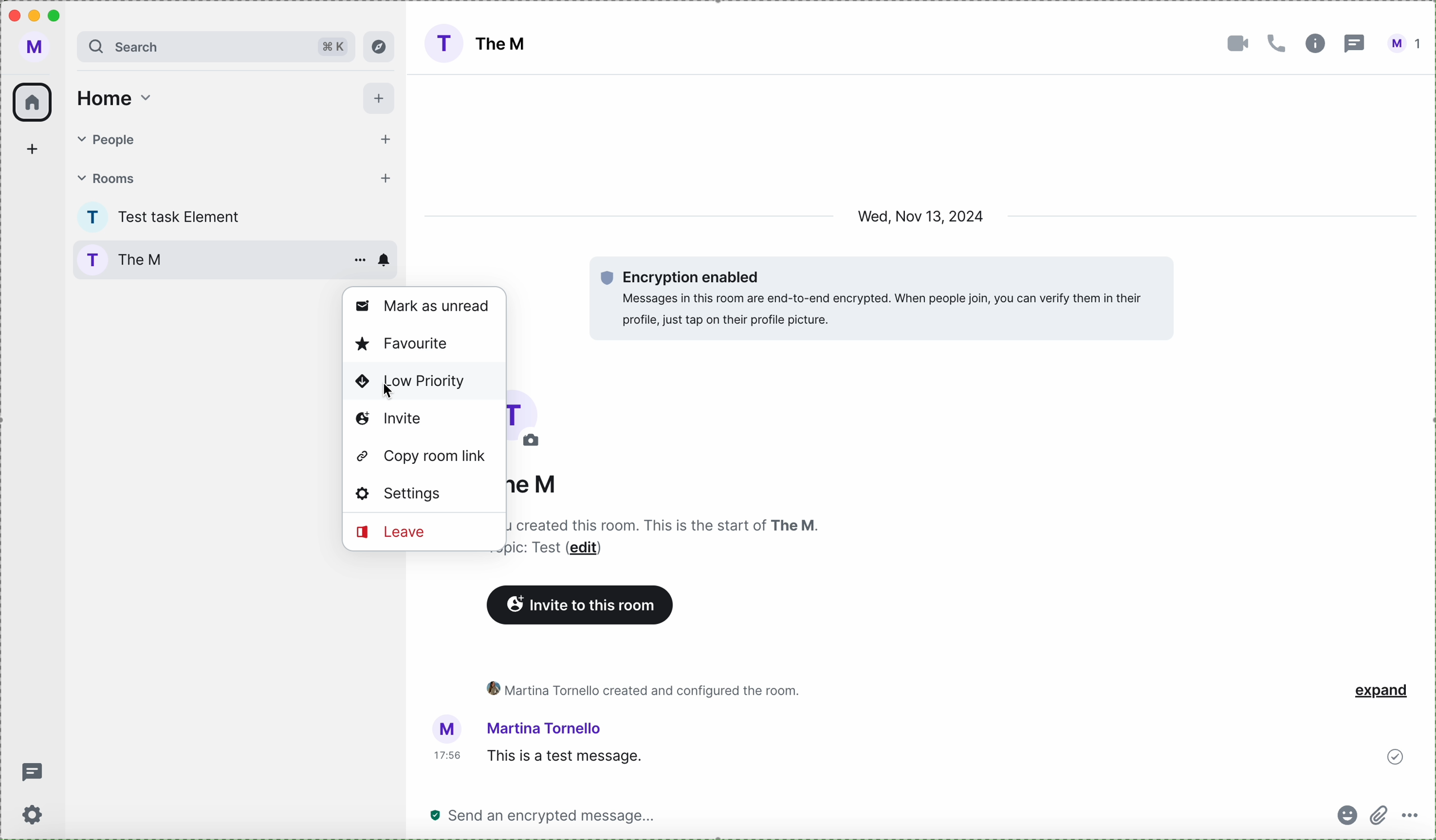 This screenshot has height=840, width=1436. What do you see at coordinates (187, 218) in the screenshot?
I see `test task Element` at bounding box center [187, 218].